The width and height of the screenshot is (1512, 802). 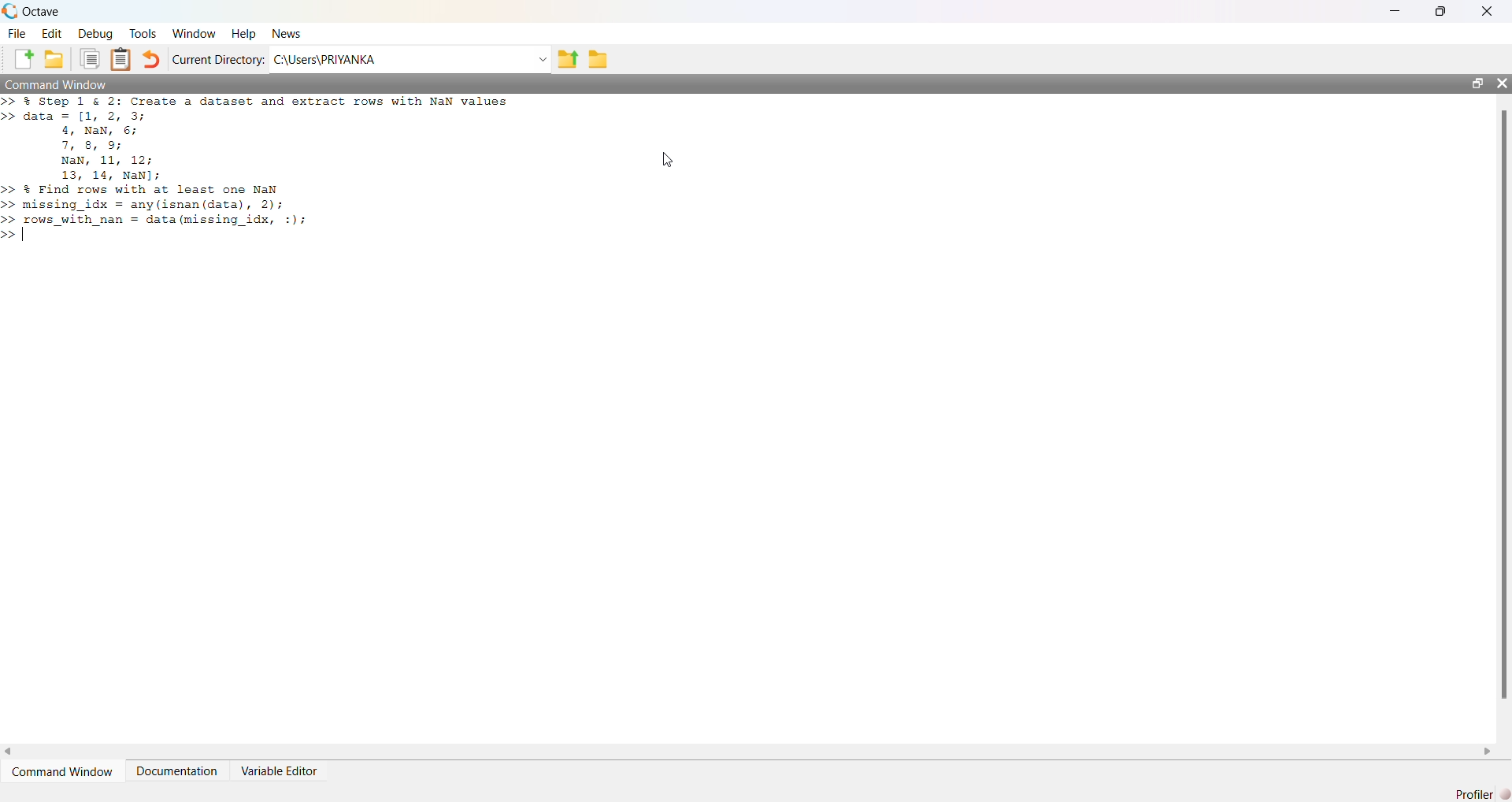 What do you see at coordinates (120, 59) in the screenshot?
I see `Clipboard` at bounding box center [120, 59].